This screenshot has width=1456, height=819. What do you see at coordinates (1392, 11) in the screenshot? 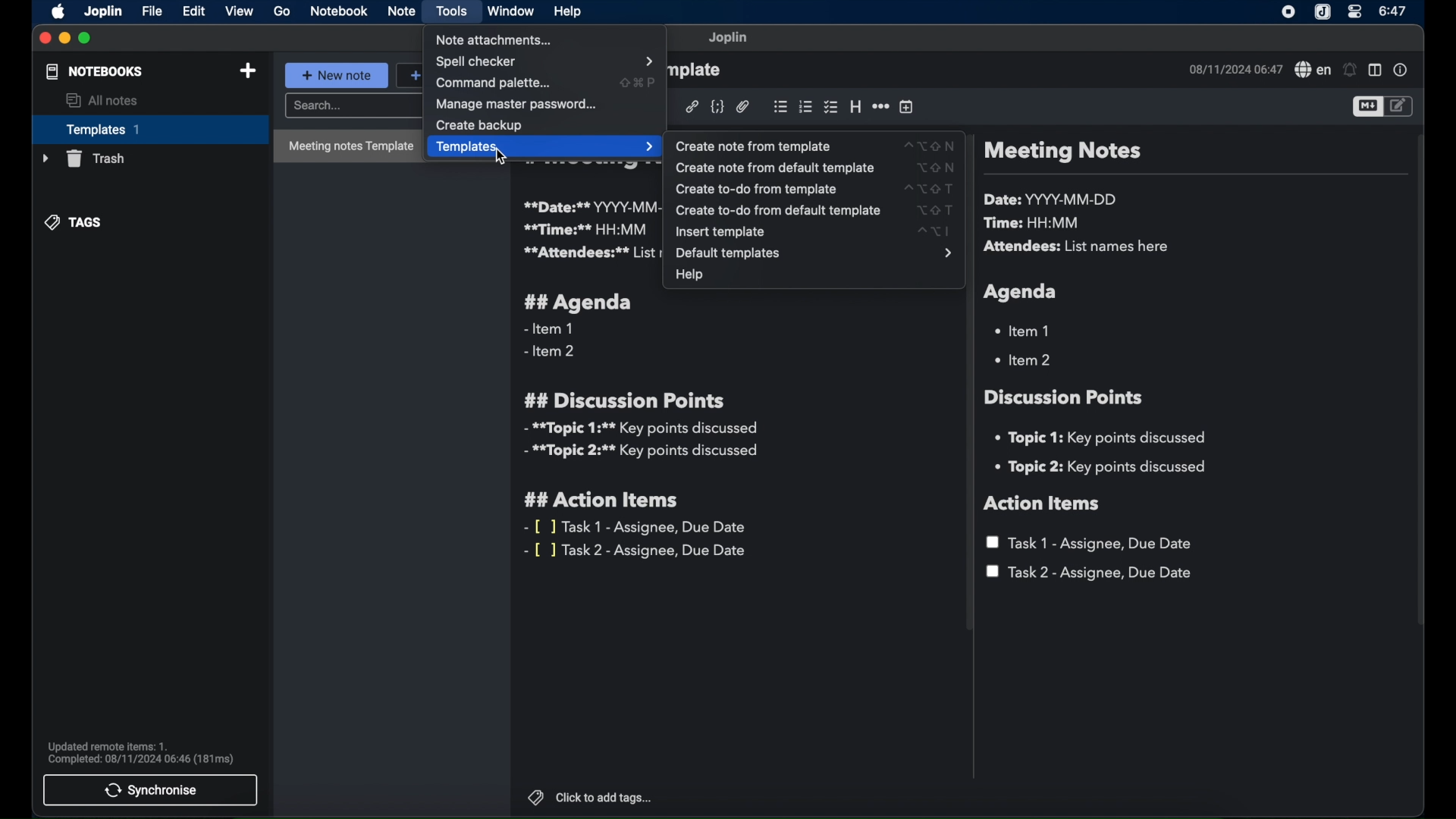
I see `6:47 ` at bounding box center [1392, 11].